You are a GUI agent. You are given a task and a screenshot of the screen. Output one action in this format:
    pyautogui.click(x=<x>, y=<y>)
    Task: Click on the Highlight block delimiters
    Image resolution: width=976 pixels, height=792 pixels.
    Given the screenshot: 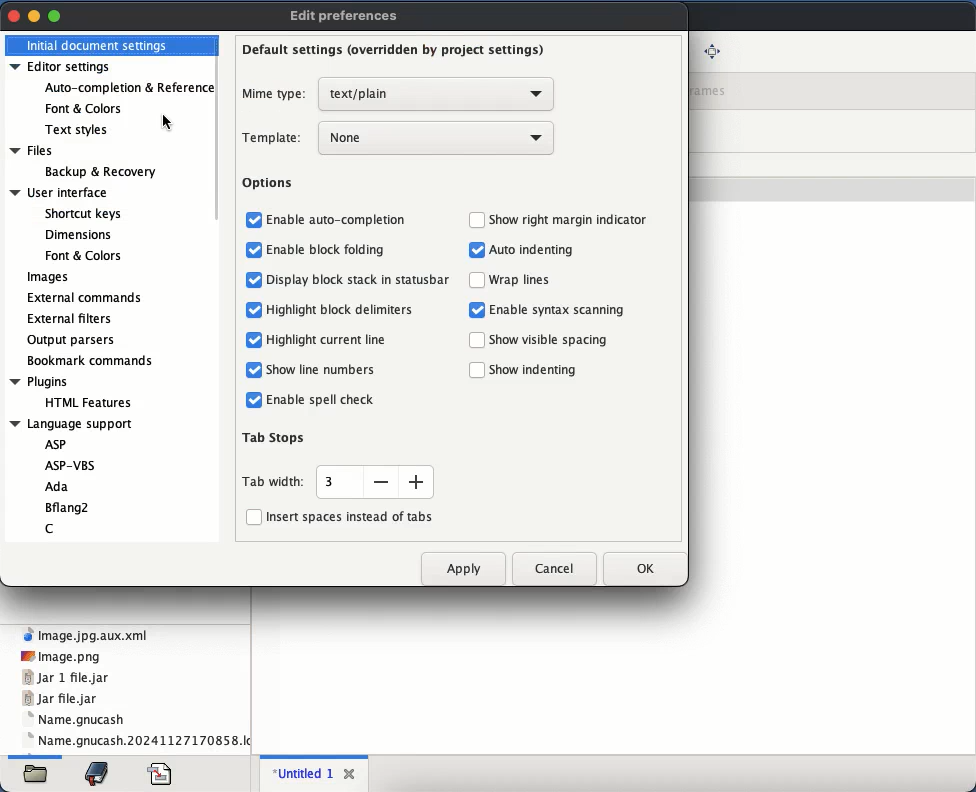 What is the action you would take?
    pyautogui.click(x=343, y=310)
    